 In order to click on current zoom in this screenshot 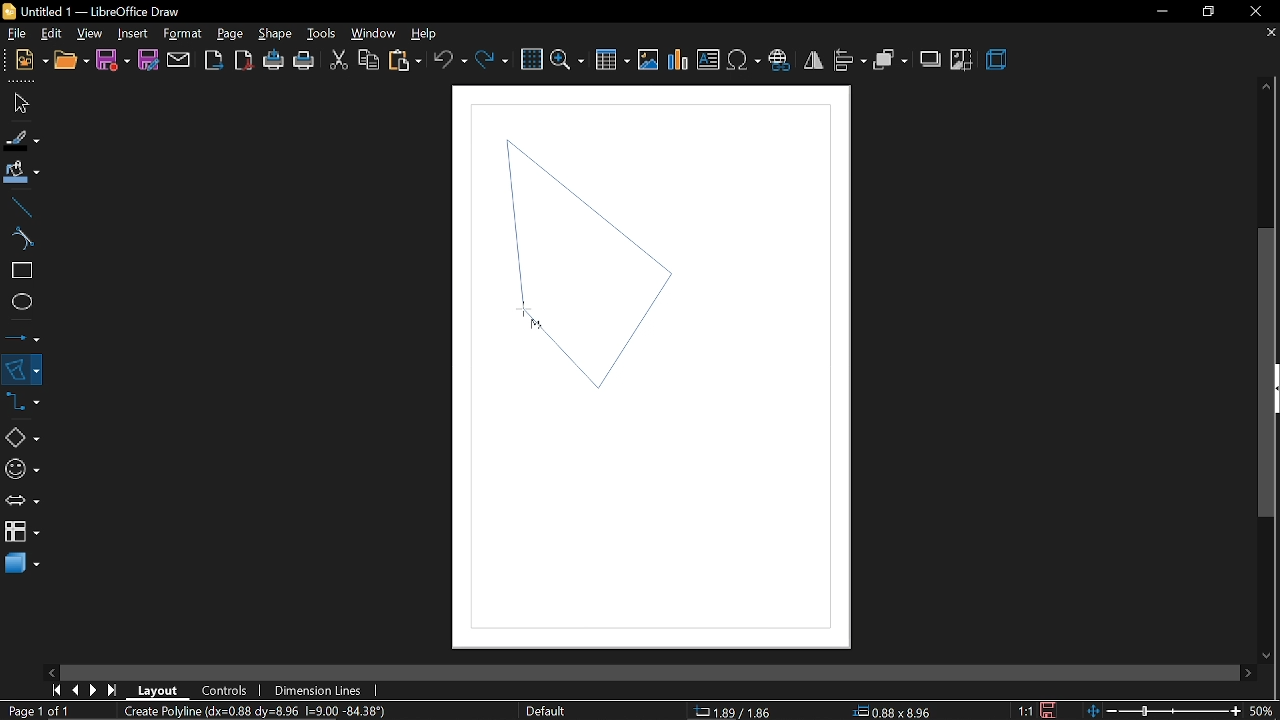, I will do `click(1262, 711)`.